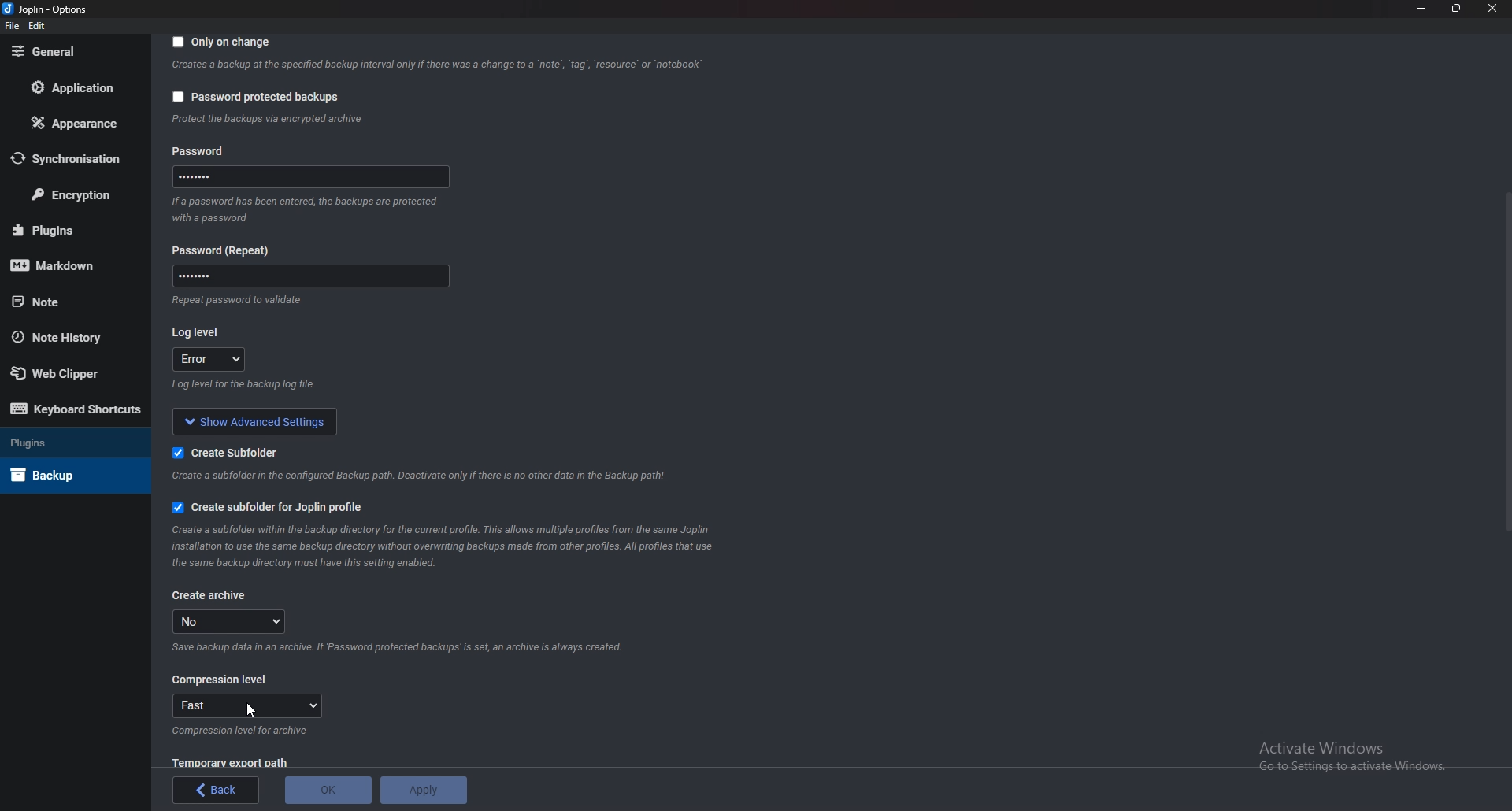 Image resolution: width=1512 pixels, height=811 pixels. I want to click on Web Clipper, so click(64, 370).